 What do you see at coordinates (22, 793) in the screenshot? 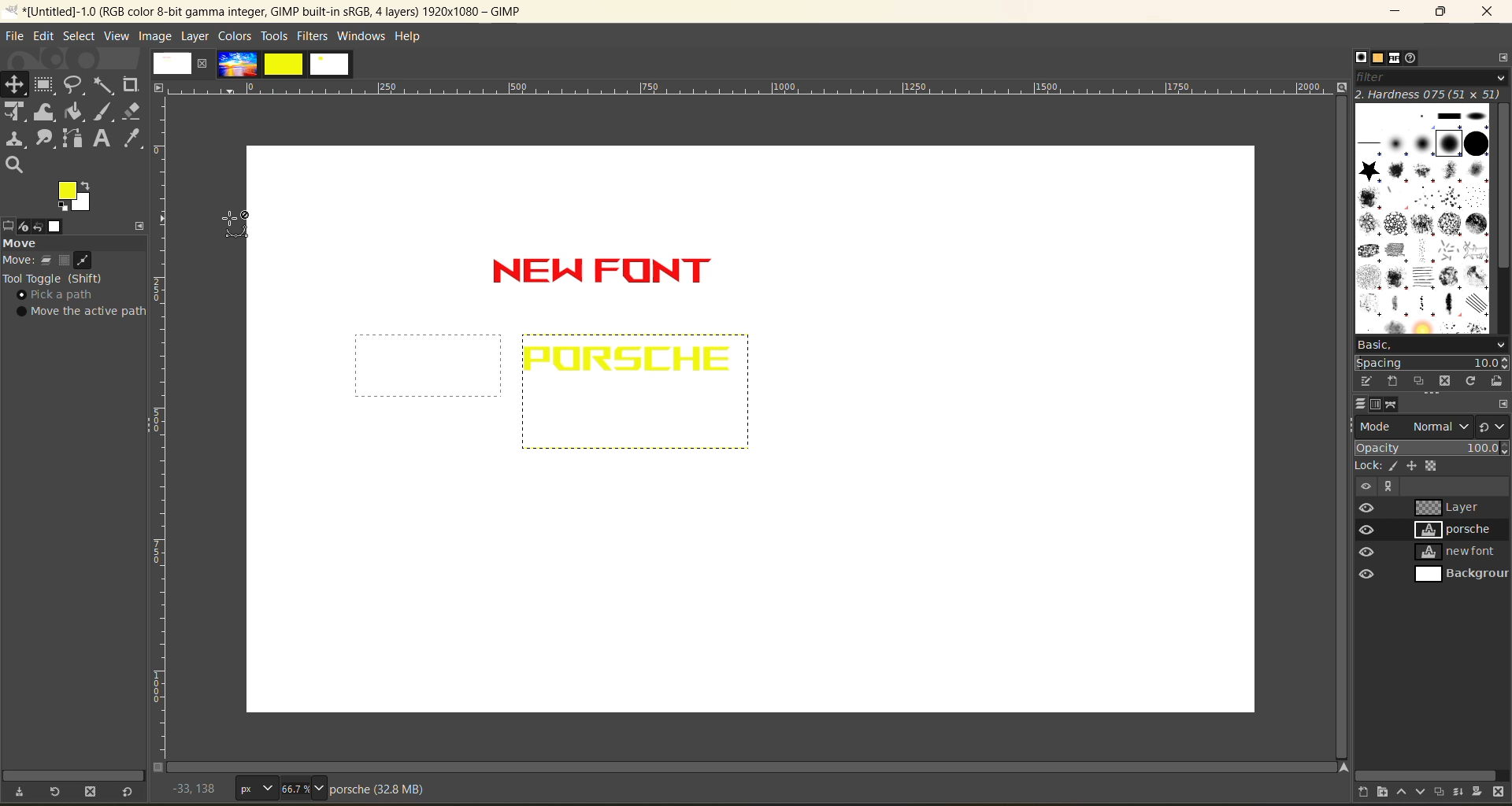
I see `save tool preset` at bounding box center [22, 793].